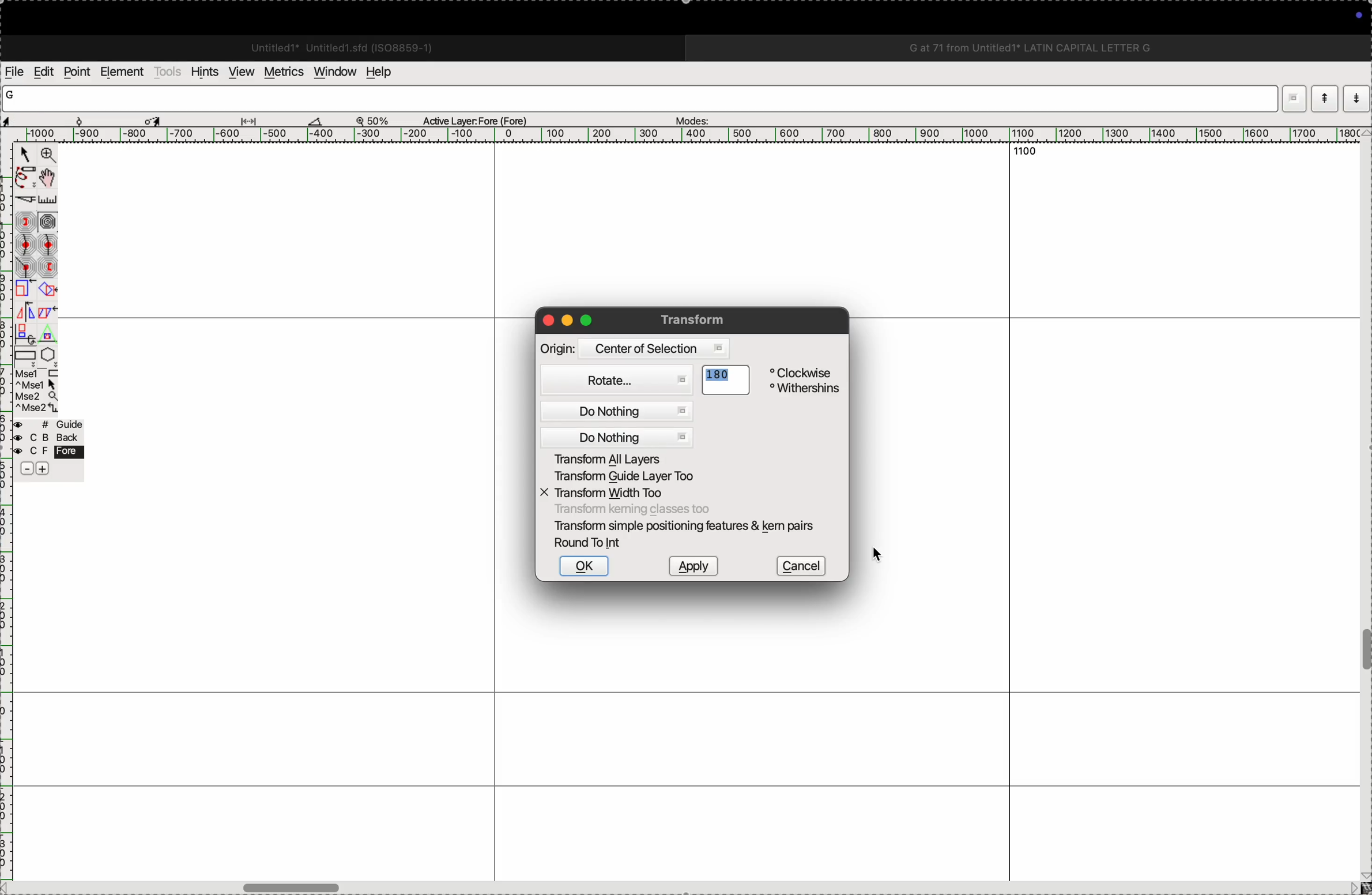 This screenshot has height=895, width=1372. I want to click on Point, so click(25, 155).